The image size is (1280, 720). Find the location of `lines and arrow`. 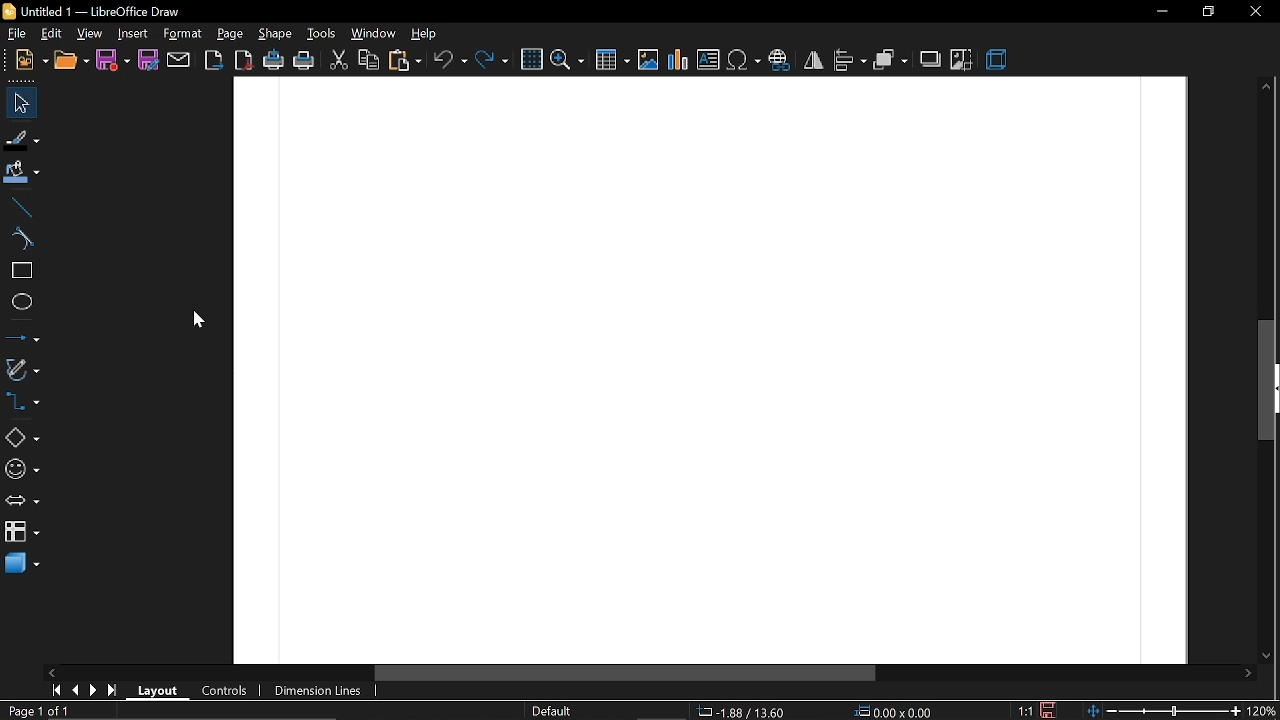

lines and arrow is located at coordinates (20, 339).